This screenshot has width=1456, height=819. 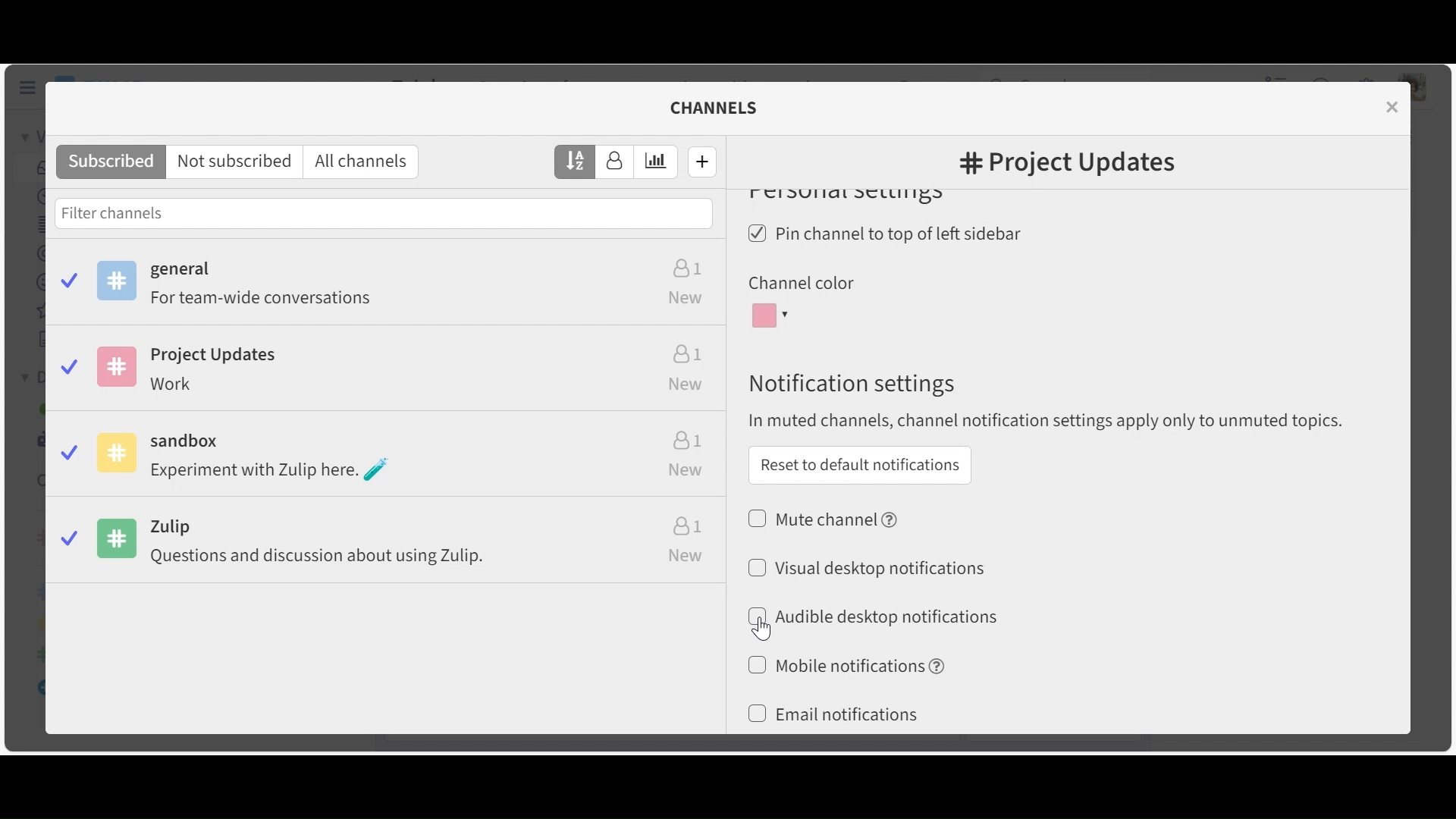 What do you see at coordinates (390, 544) in the screenshot?
I see `Zulip` at bounding box center [390, 544].